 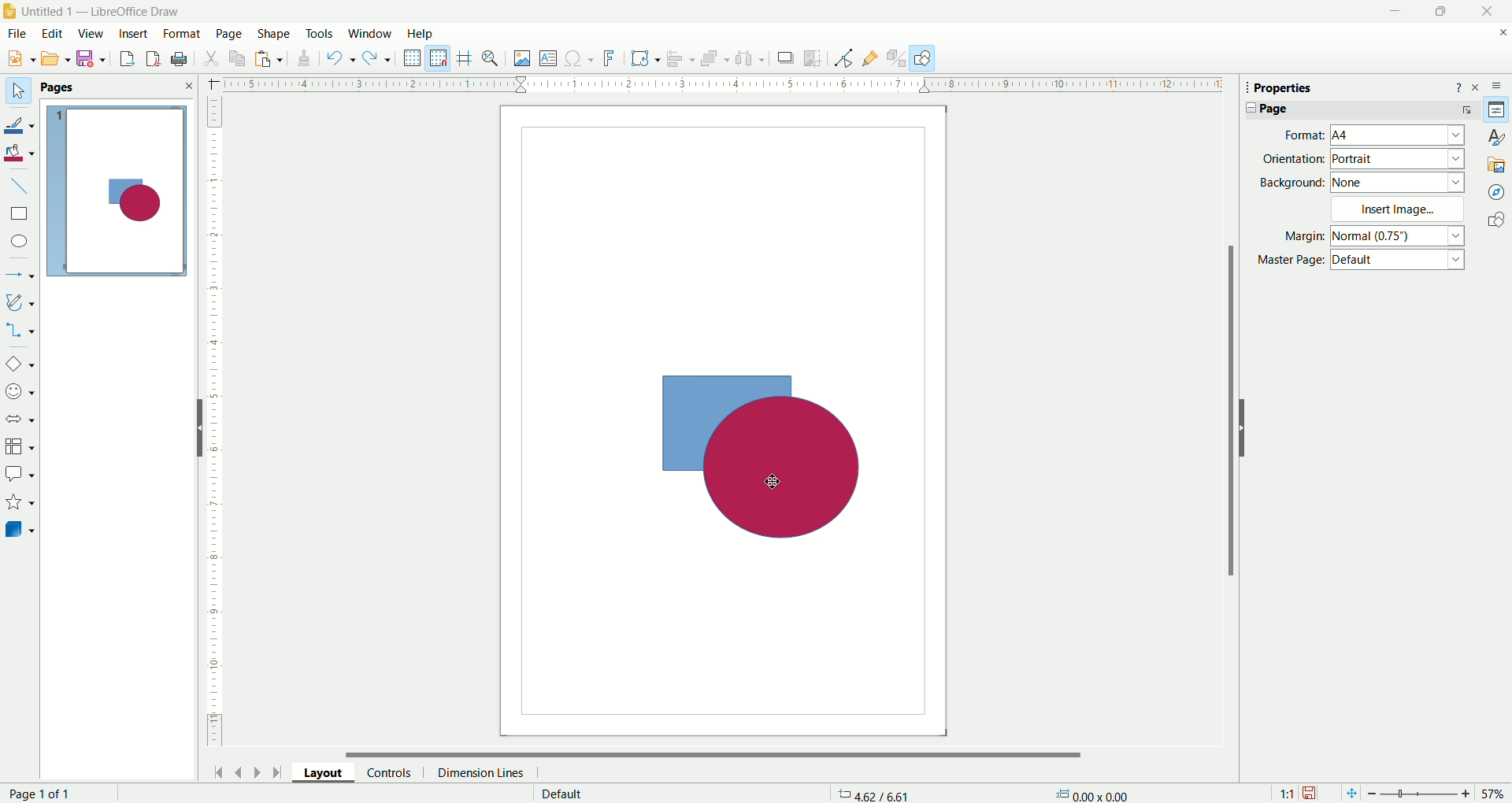 What do you see at coordinates (182, 58) in the screenshot?
I see `print` at bounding box center [182, 58].